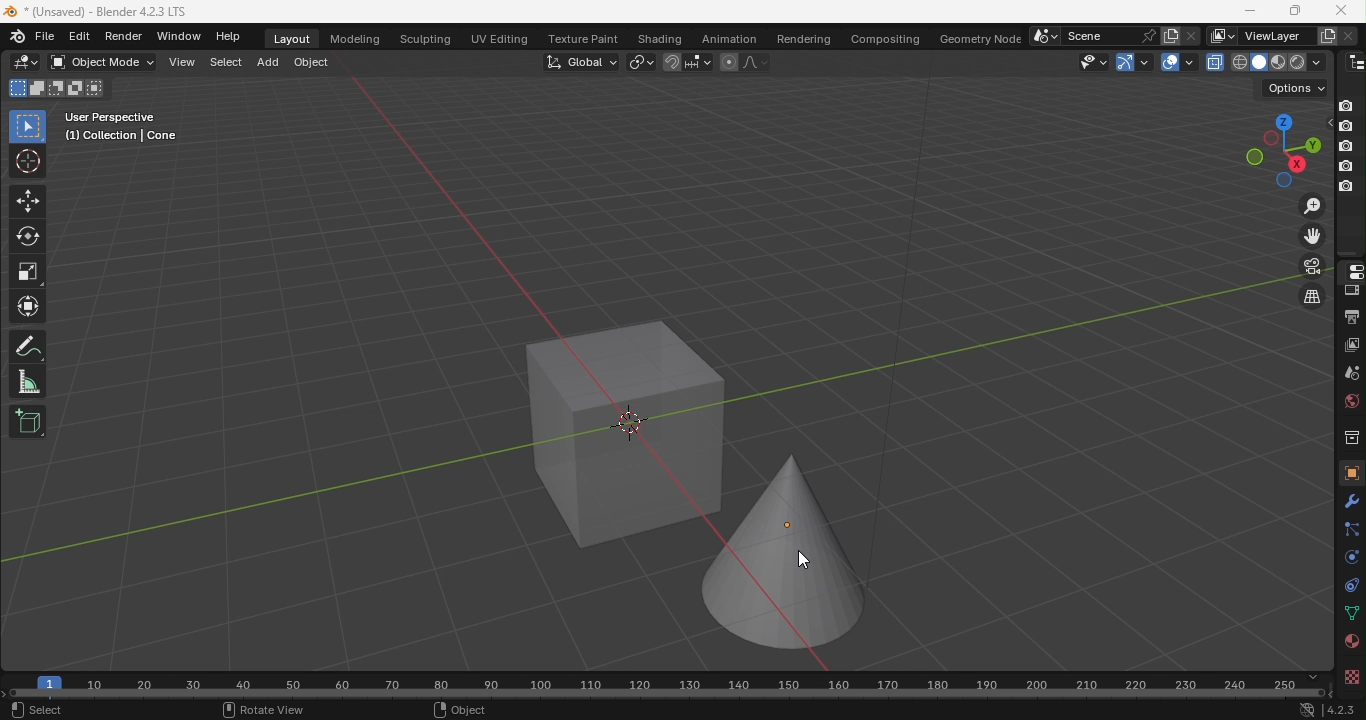  Describe the element at coordinates (268, 65) in the screenshot. I see `Add` at that location.